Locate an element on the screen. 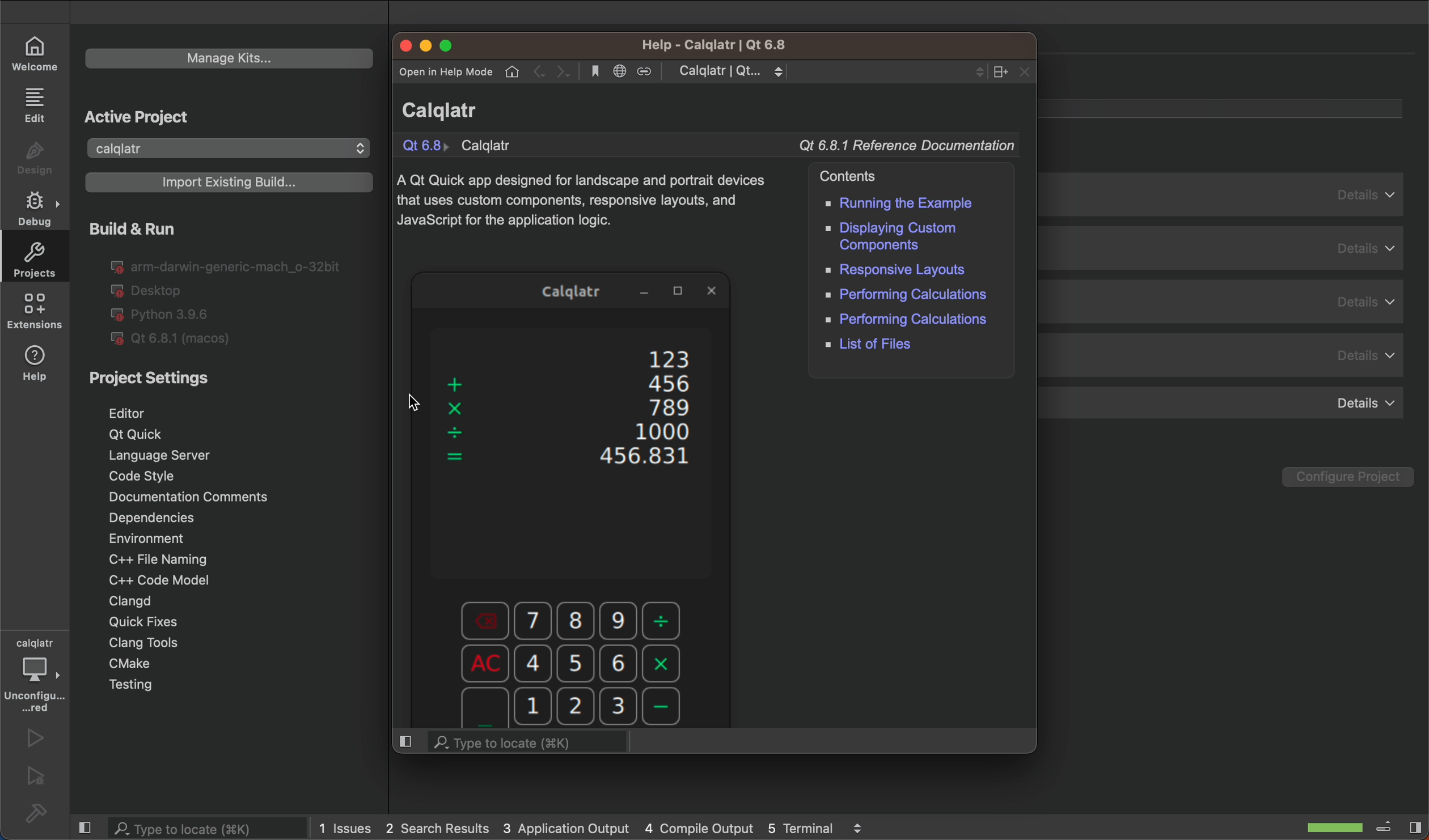  details is located at coordinates (1223, 249).